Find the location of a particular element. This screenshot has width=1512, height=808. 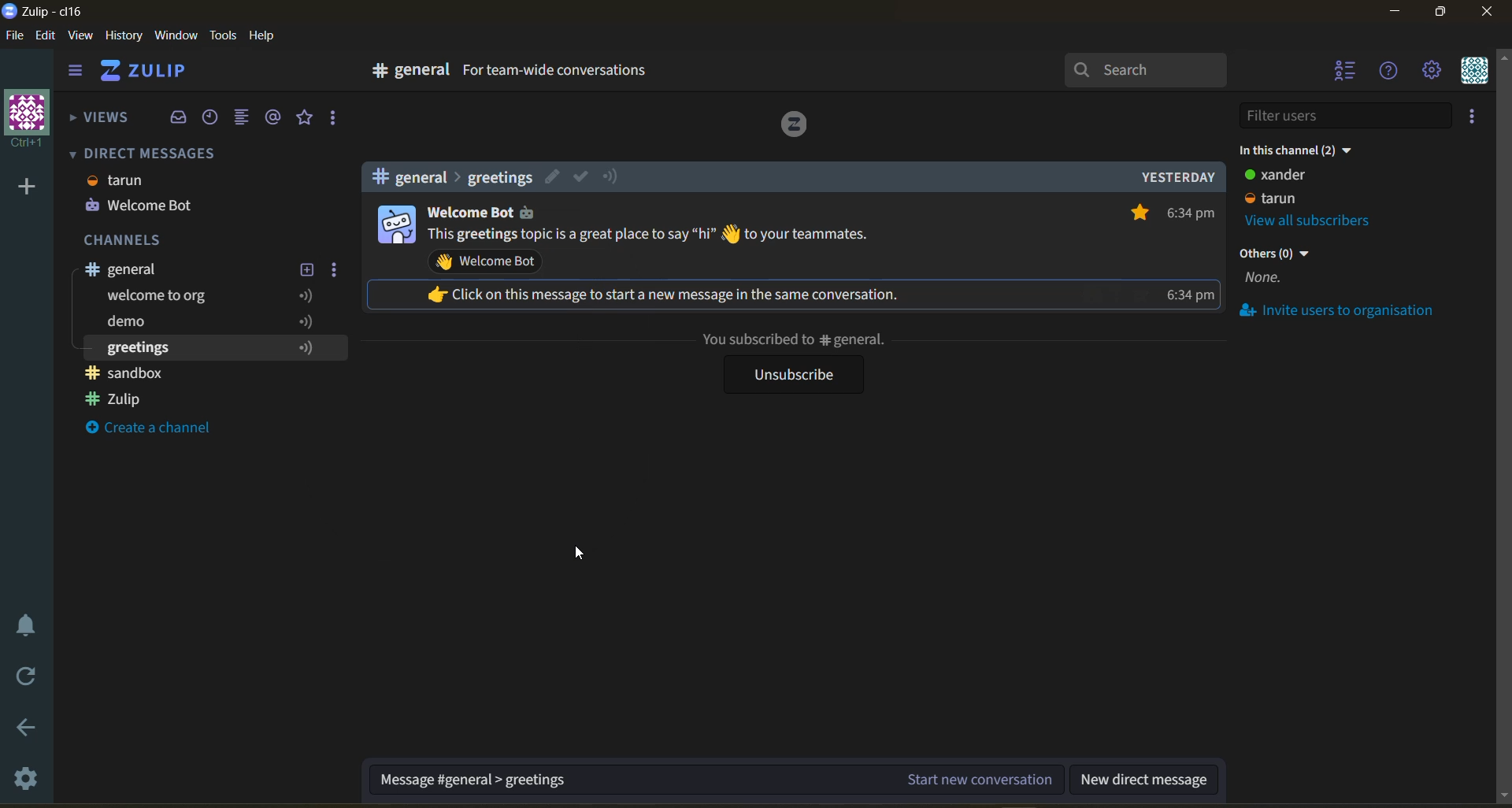

following is located at coordinates (313, 347).